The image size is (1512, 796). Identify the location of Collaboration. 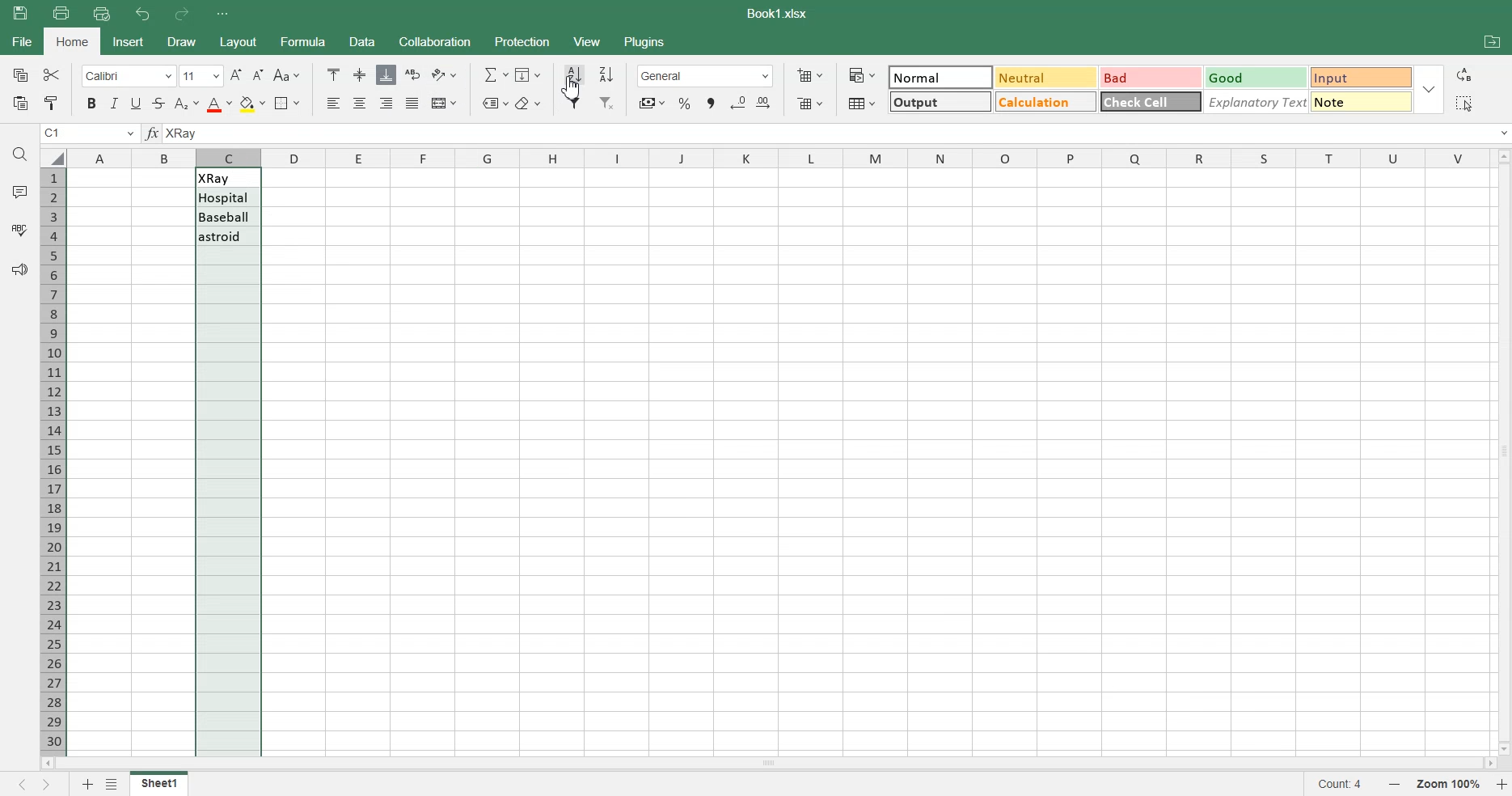
(434, 41).